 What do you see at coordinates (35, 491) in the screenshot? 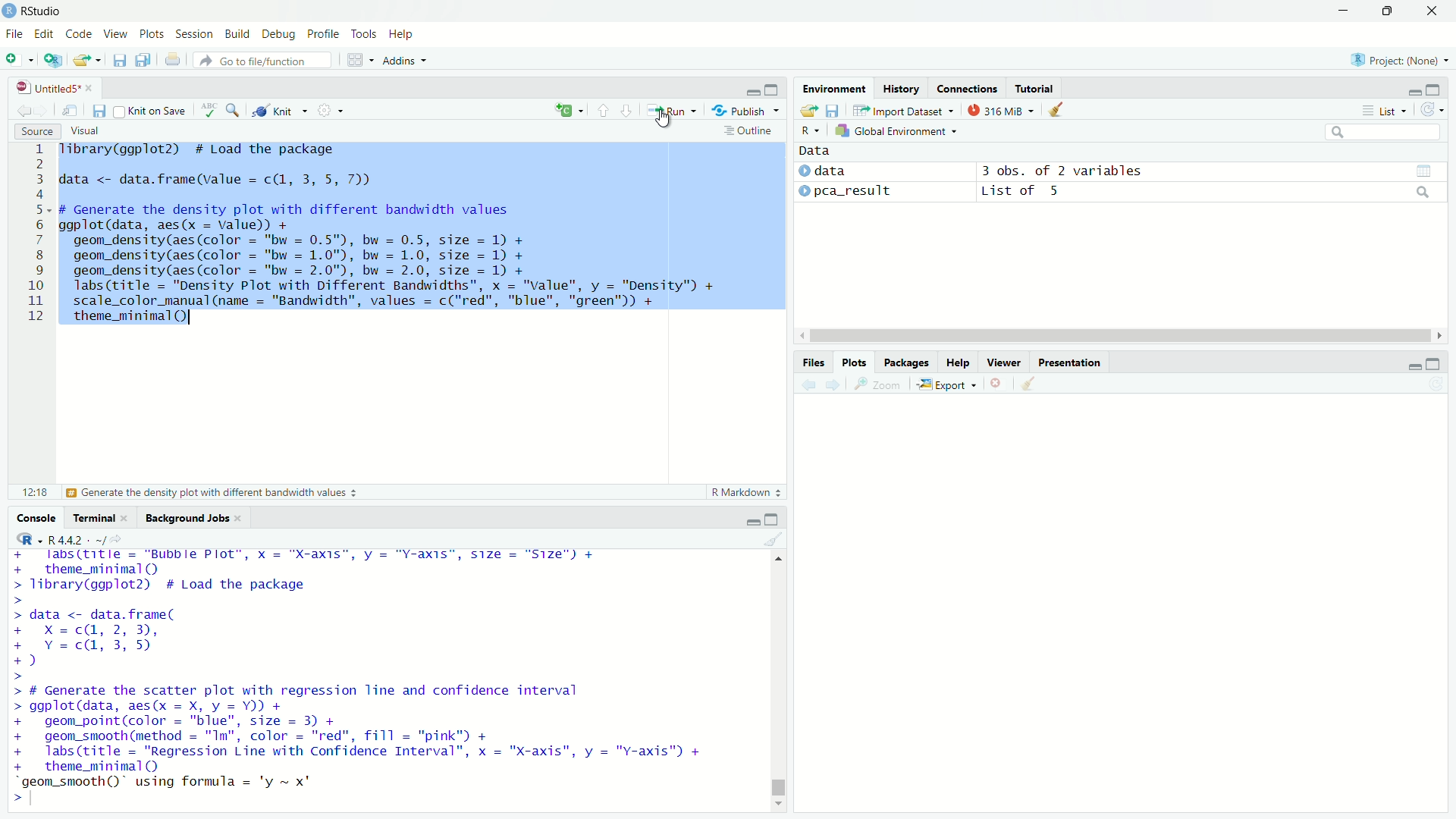
I see `12:18` at bounding box center [35, 491].